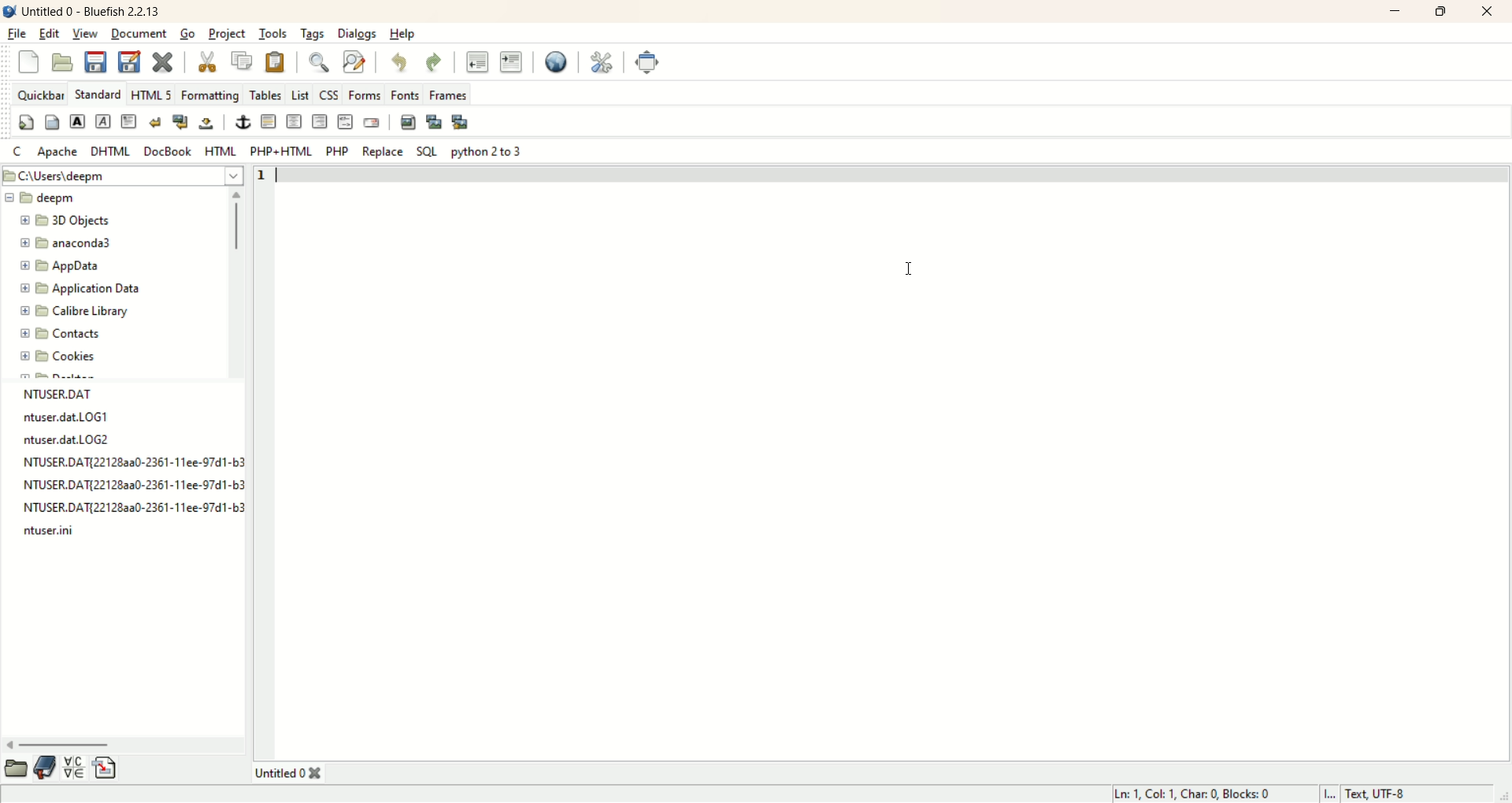  I want to click on file name, so click(131, 463).